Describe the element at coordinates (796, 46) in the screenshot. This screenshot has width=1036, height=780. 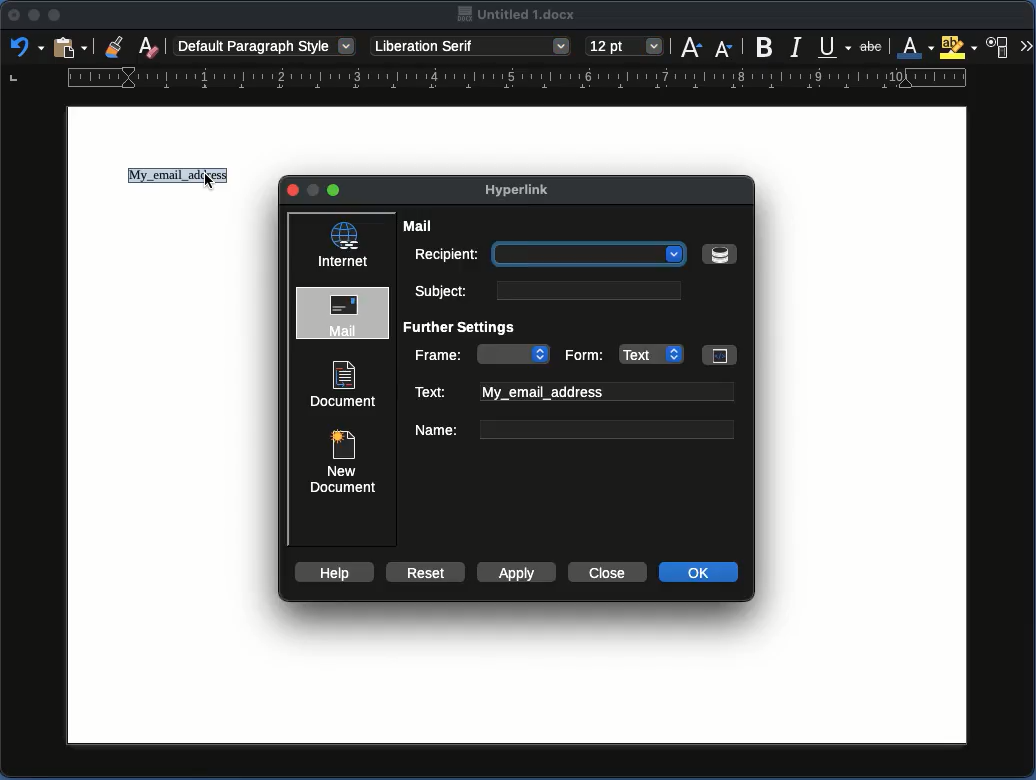
I see `Italics` at that location.